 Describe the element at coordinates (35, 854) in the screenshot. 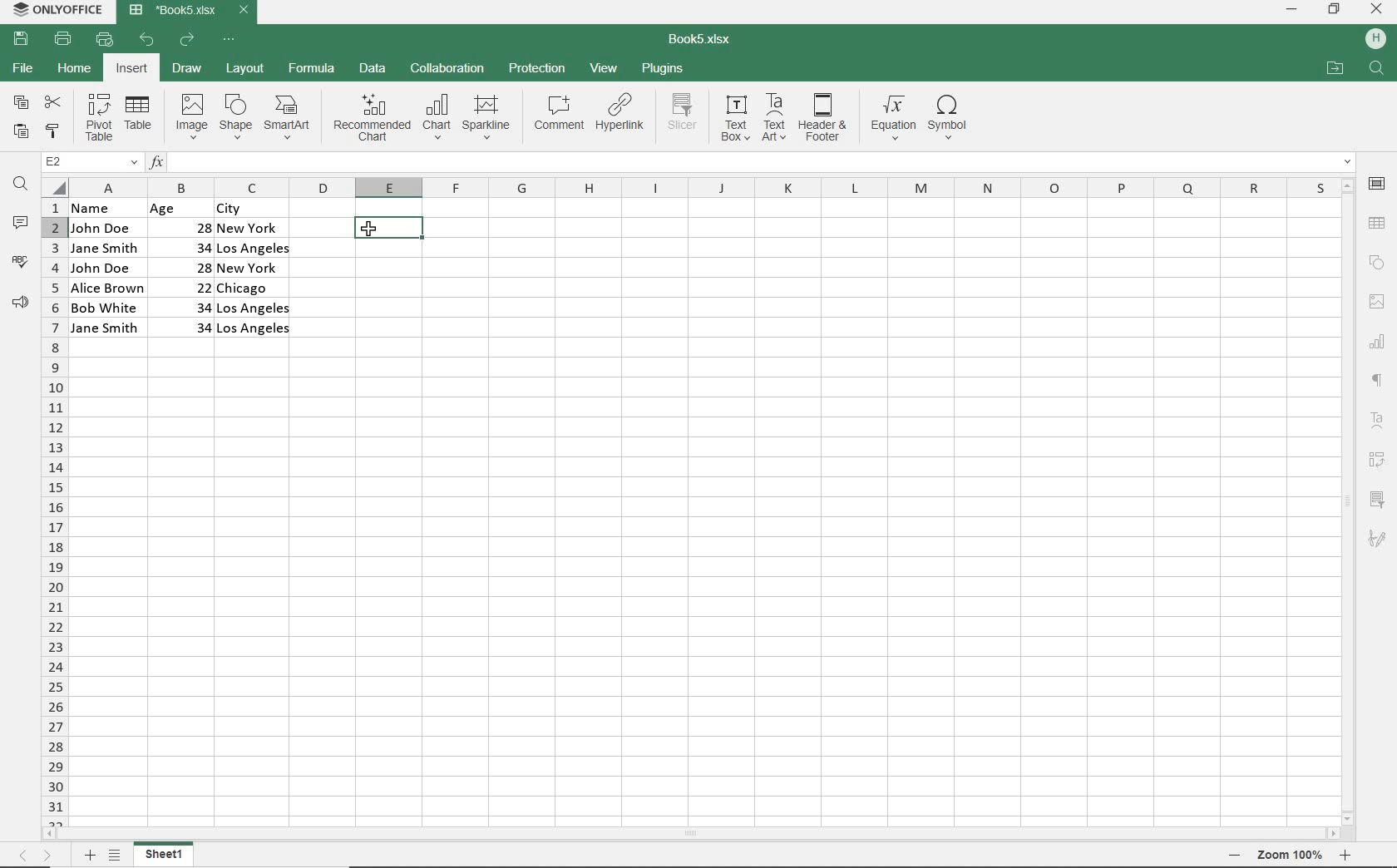

I see `MOVE SHEETS` at that location.